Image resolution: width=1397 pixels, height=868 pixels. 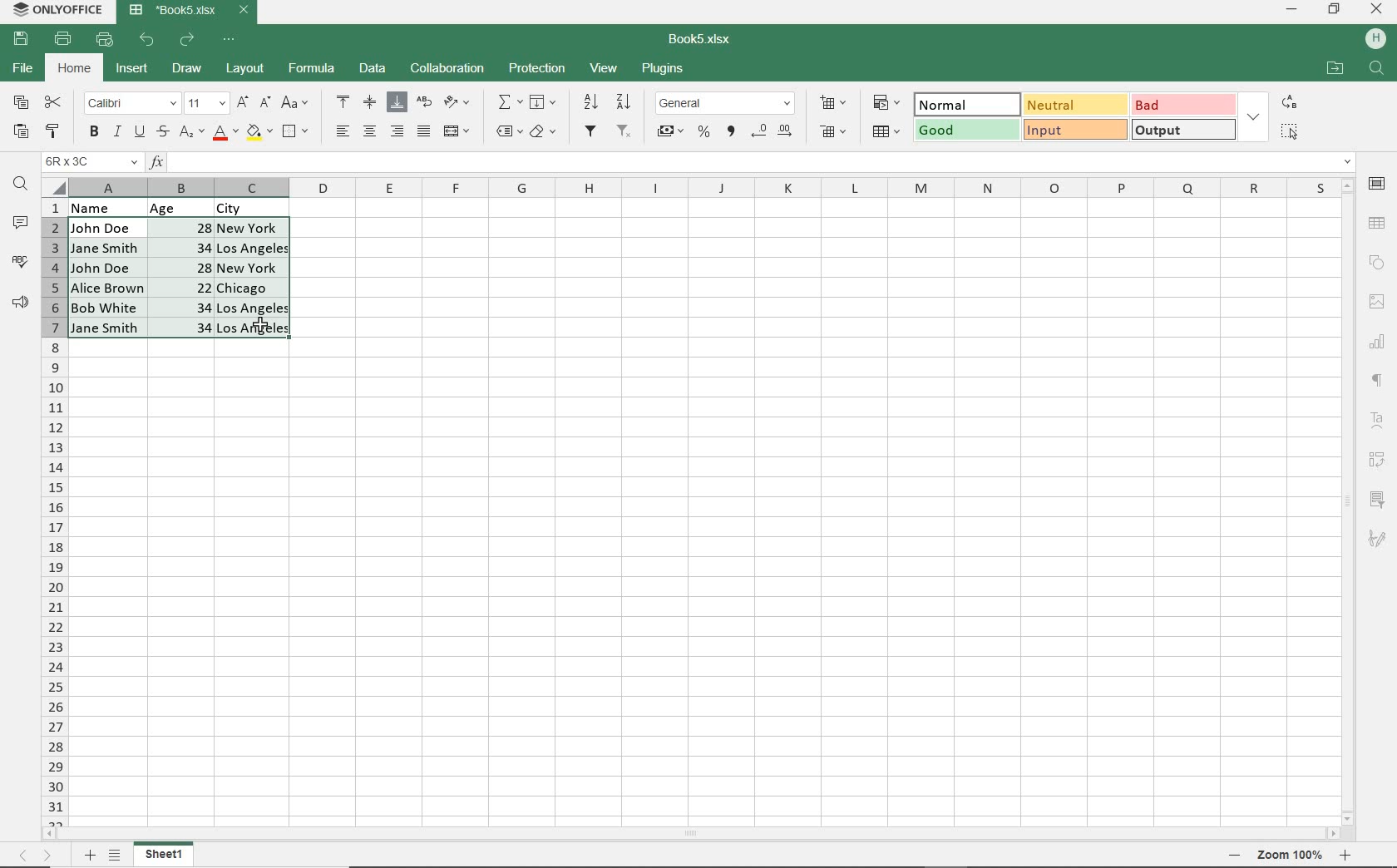 What do you see at coordinates (1378, 223) in the screenshot?
I see `TABLE` at bounding box center [1378, 223].